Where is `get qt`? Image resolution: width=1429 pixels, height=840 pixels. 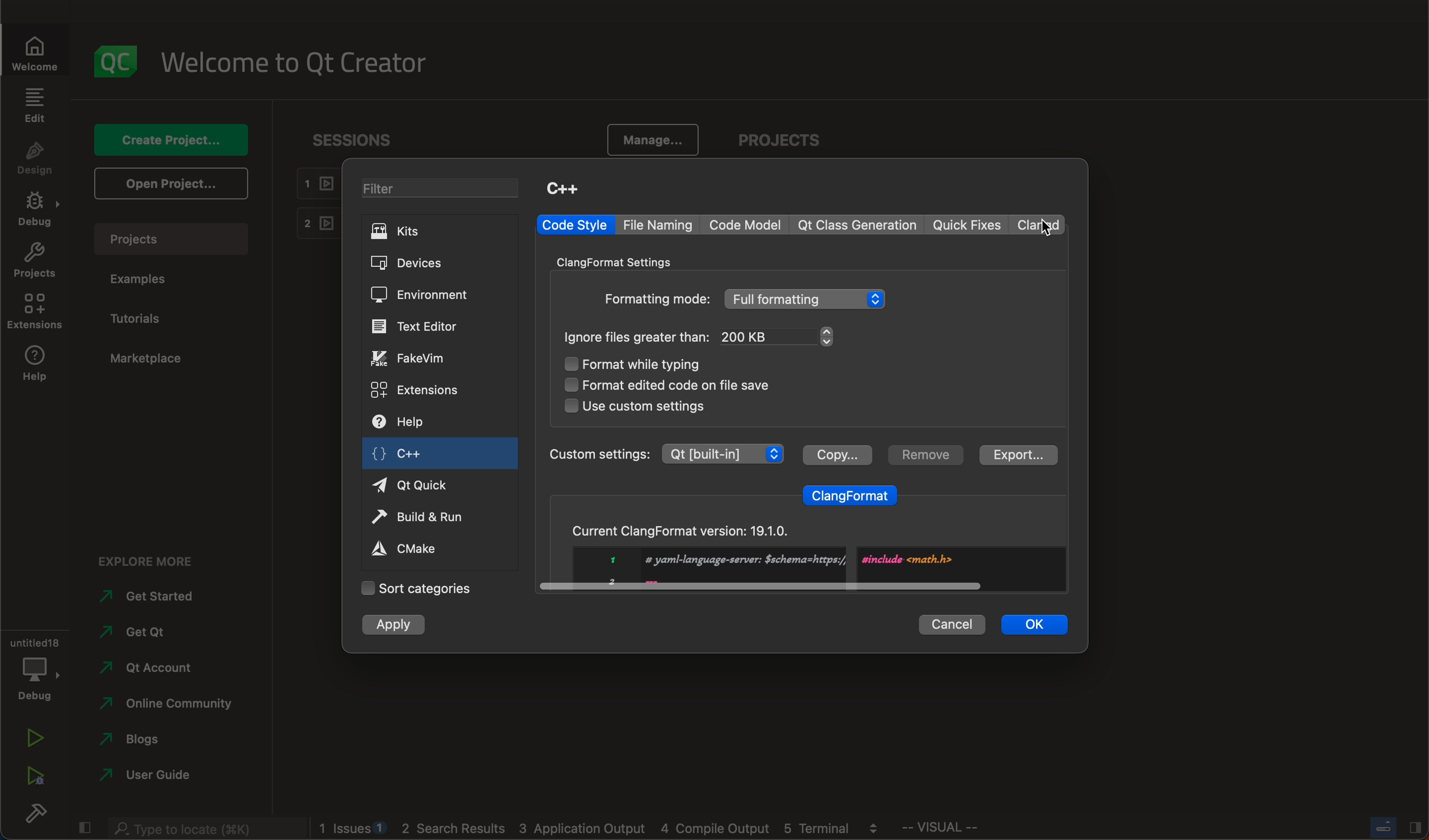
get qt is located at coordinates (145, 633).